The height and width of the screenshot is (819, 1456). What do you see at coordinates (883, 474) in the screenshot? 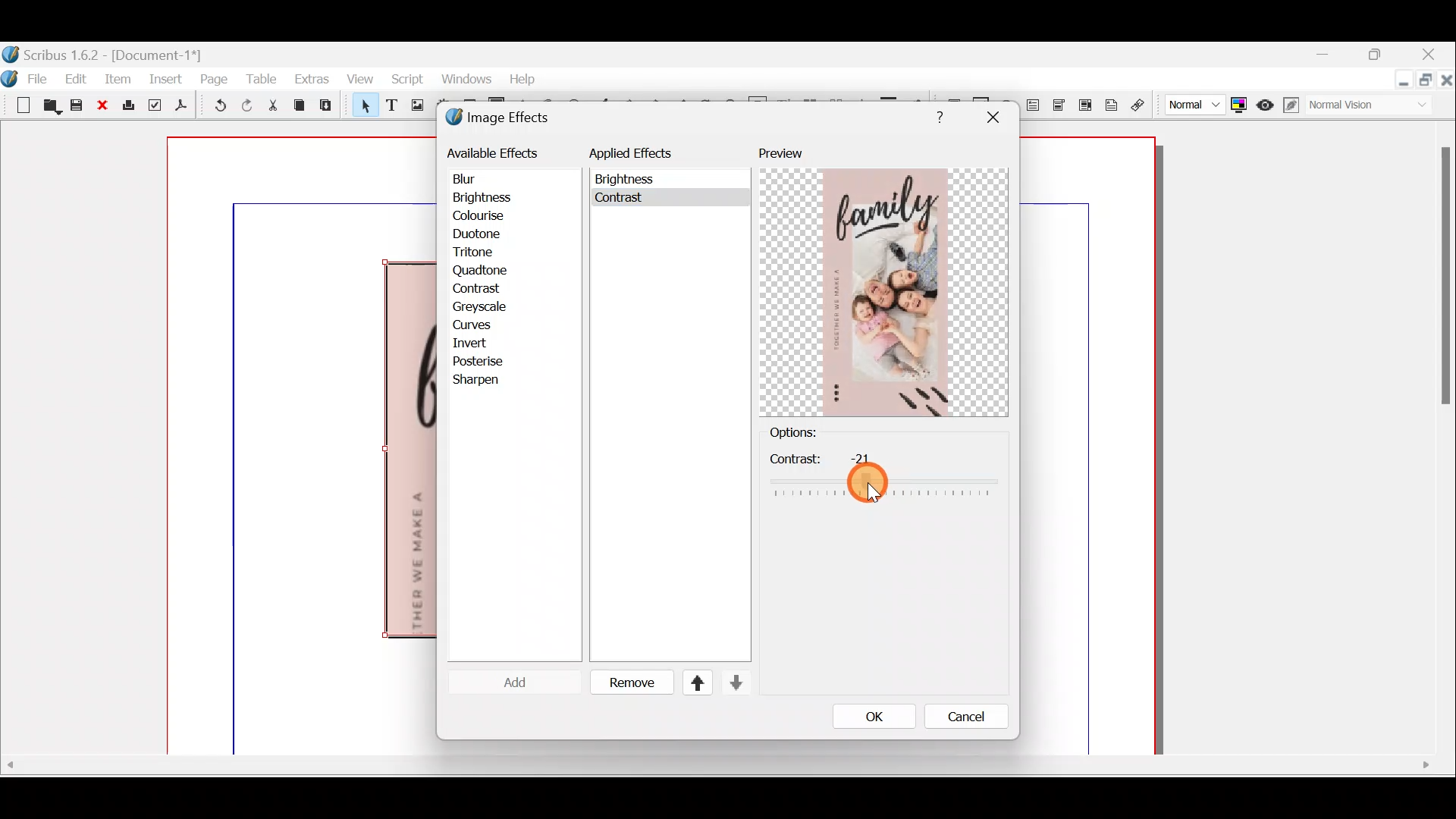
I see `` at bounding box center [883, 474].